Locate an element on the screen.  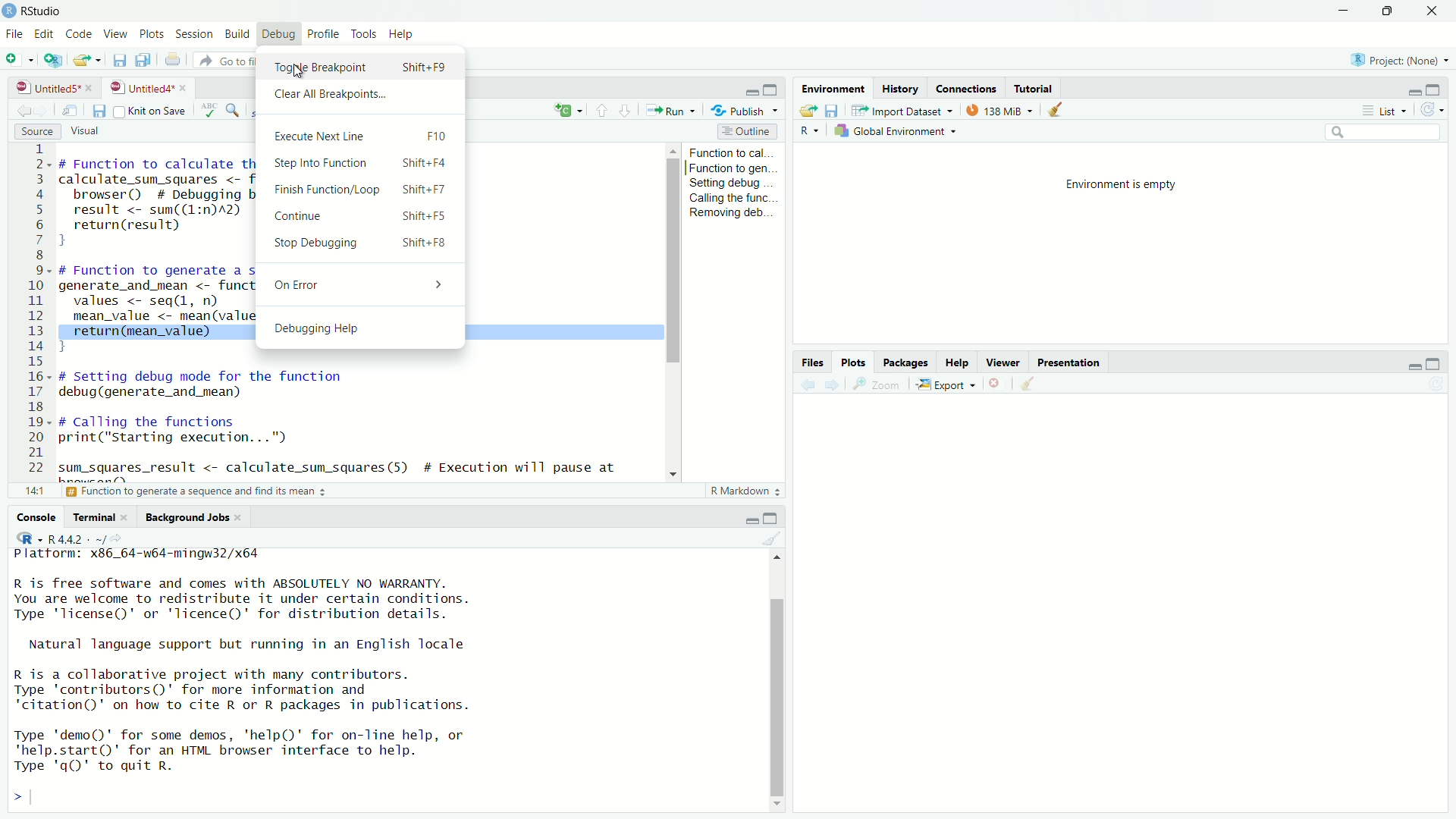
tutorial is located at coordinates (1036, 86).